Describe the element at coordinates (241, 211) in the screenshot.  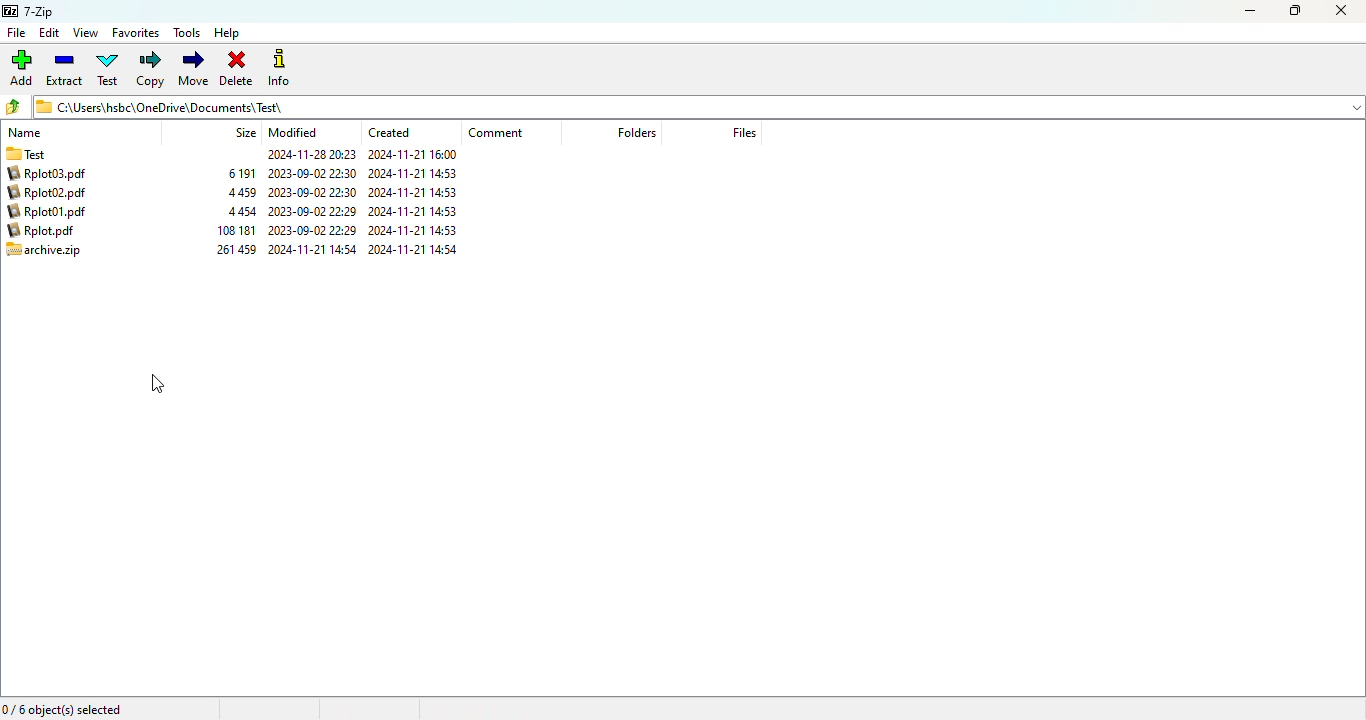
I see `4 459` at that location.